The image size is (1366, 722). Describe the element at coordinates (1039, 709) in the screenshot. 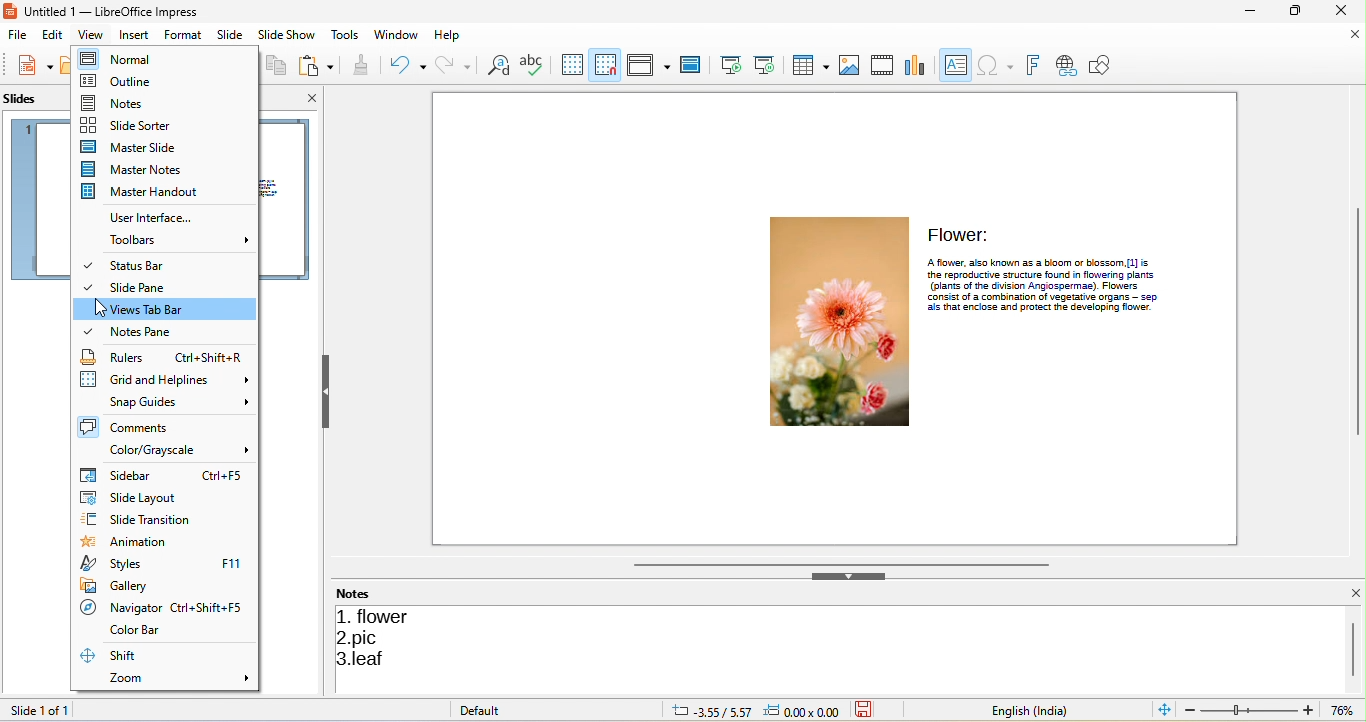

I see `text language` at that location.